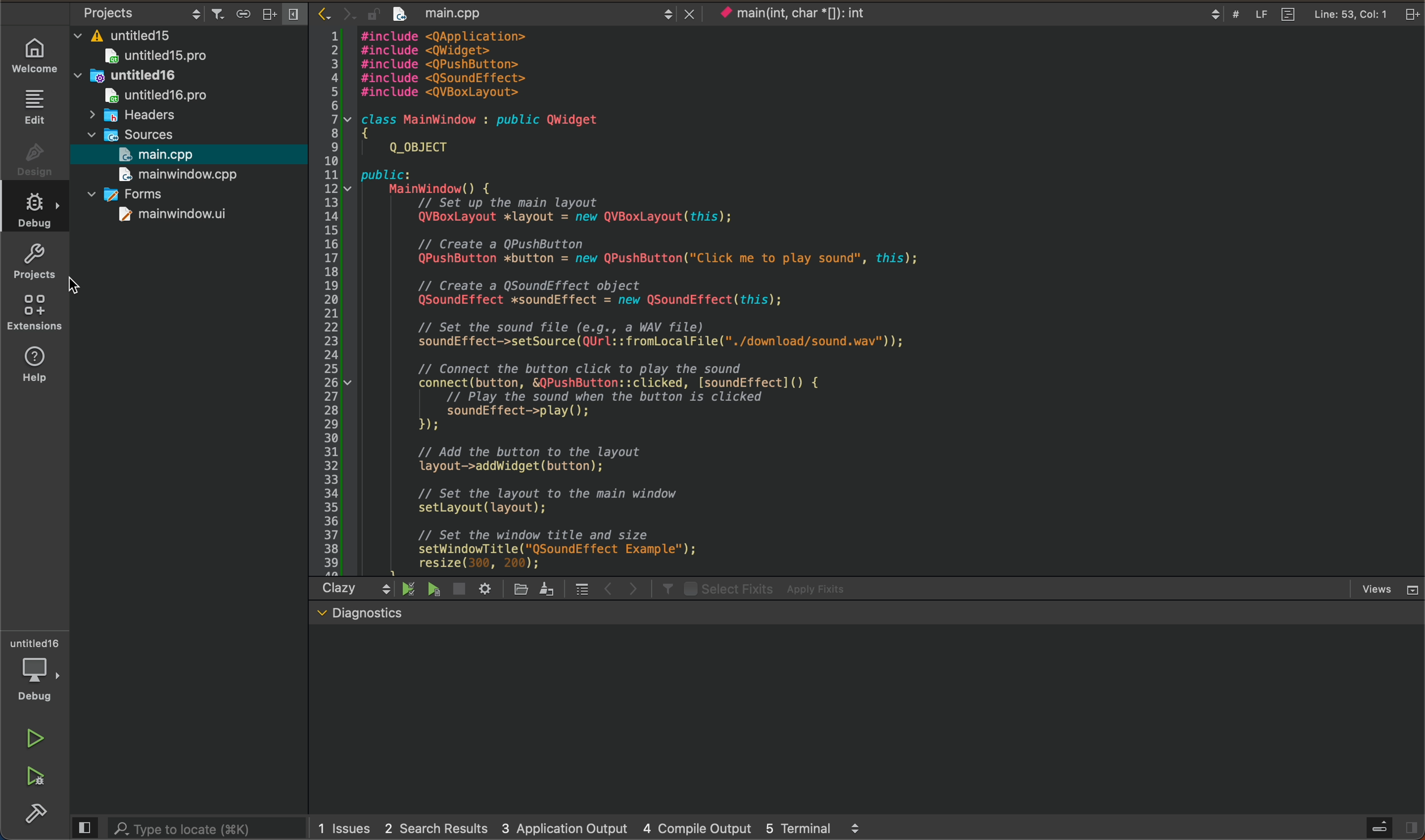 The height and width of the screenshot is (840, 1425). Describe the element at coordinates (1305, 15) in the screenshot. I see `file info and actions` at that location.